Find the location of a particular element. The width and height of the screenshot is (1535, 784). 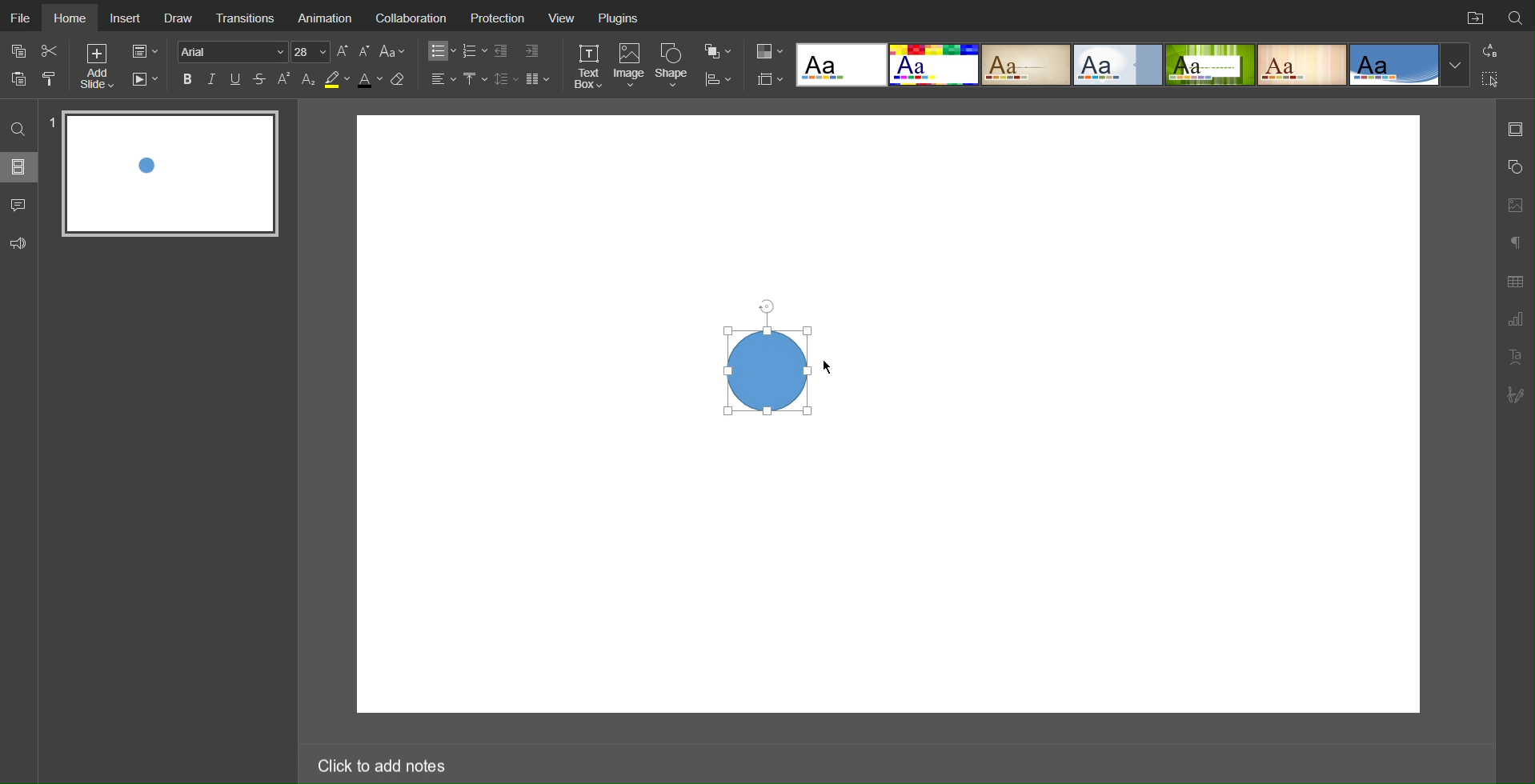

copy is located at coordinates (22, 53).